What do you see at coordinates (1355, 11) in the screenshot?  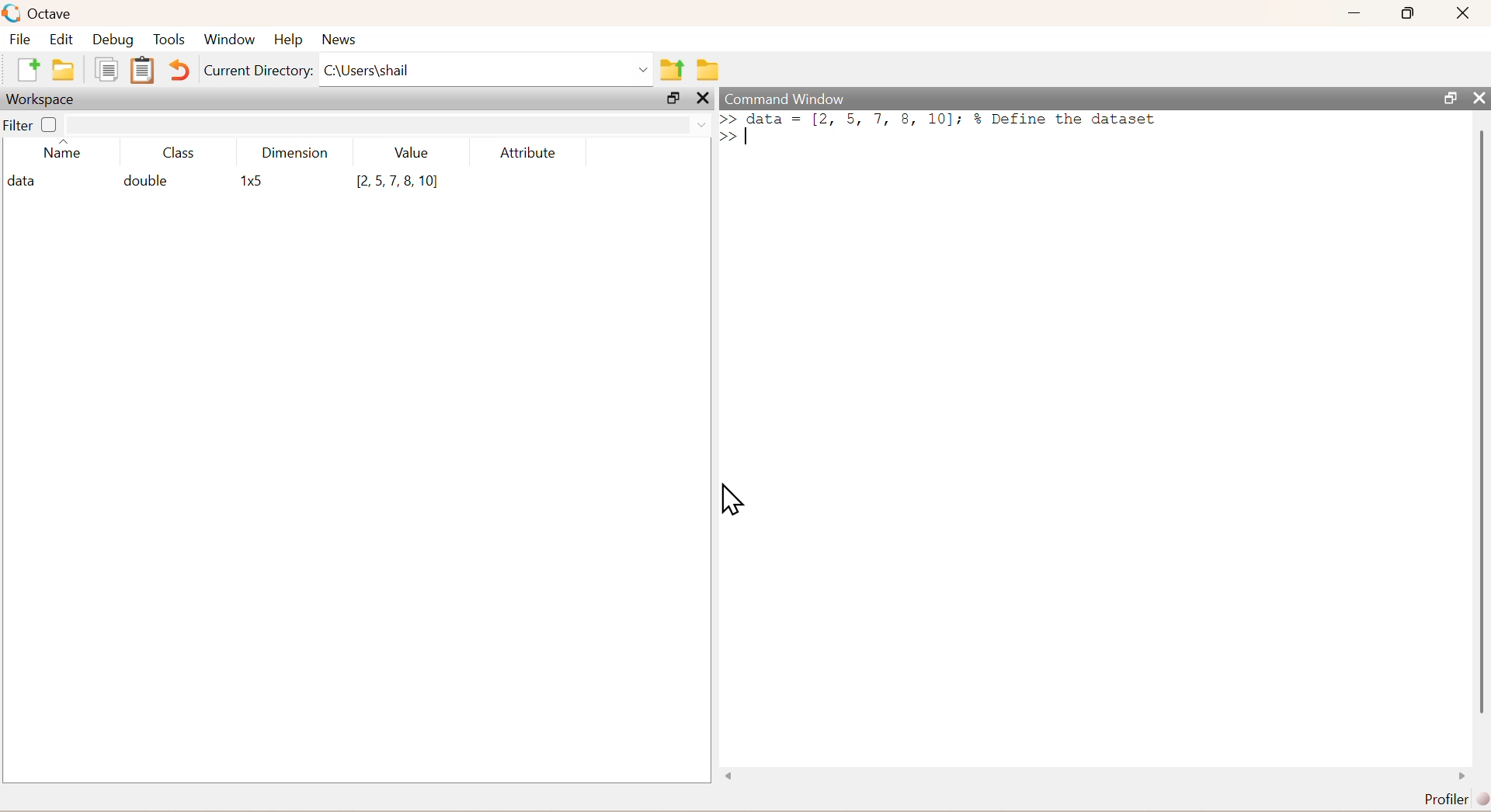 I see `minimise` at bounding box center [1355, 11].